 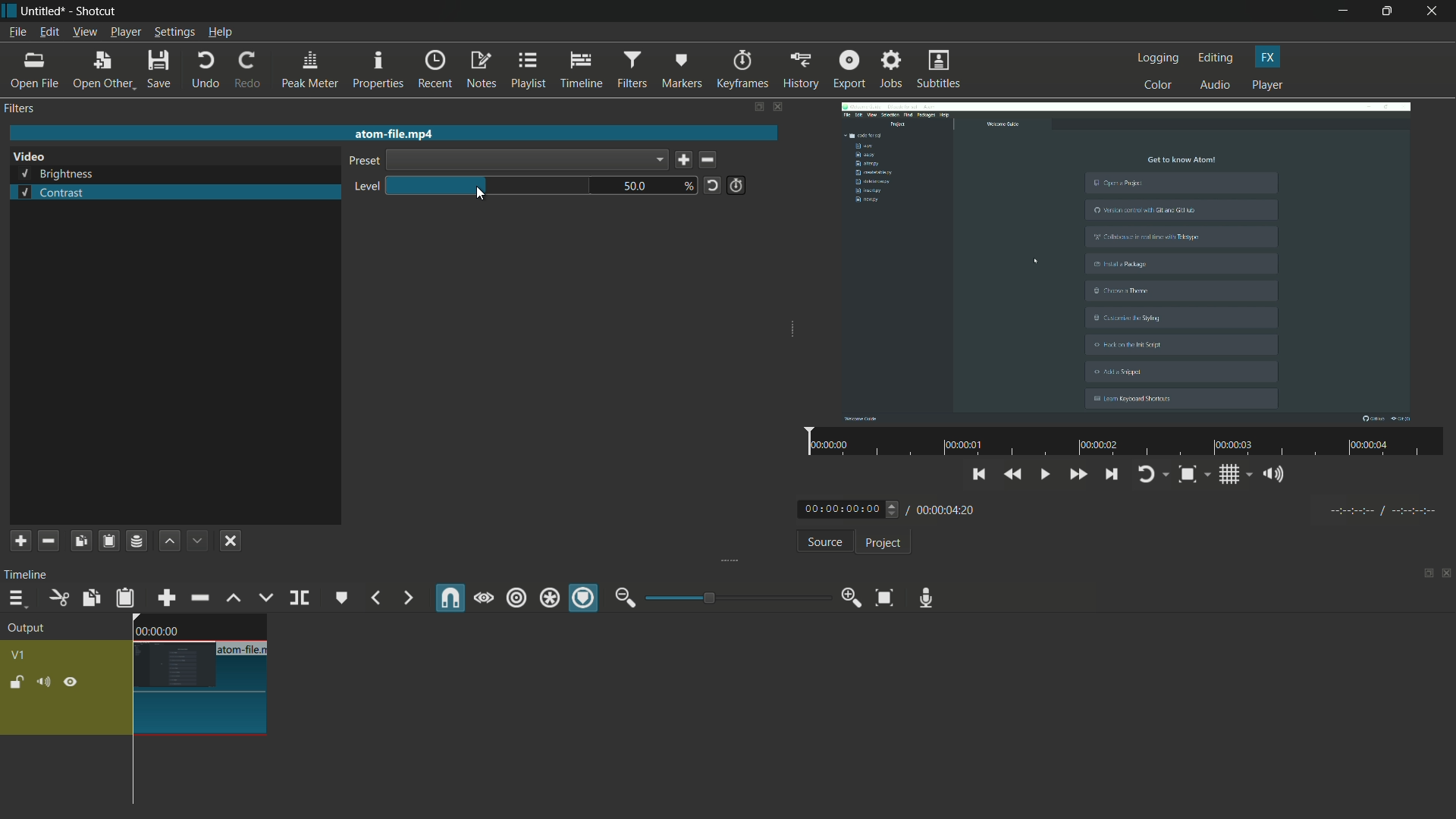 What do you see at coordinates (943, 507) in the screenshot?
I see `/ 00:00:04:20 (total time)` at bounding box center [943, 507].